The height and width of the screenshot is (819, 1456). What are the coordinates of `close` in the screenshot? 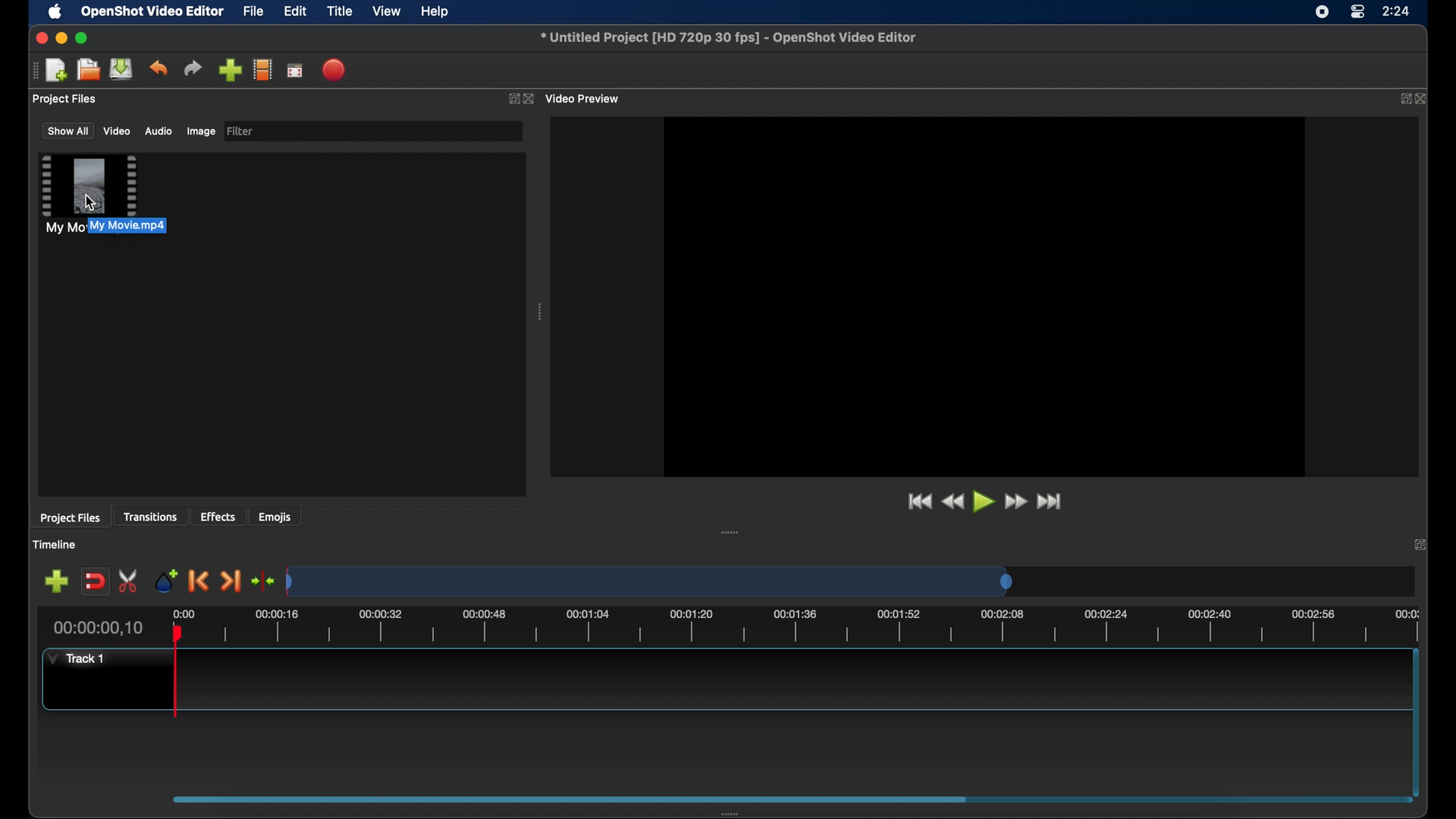 It's located at (529, 99).